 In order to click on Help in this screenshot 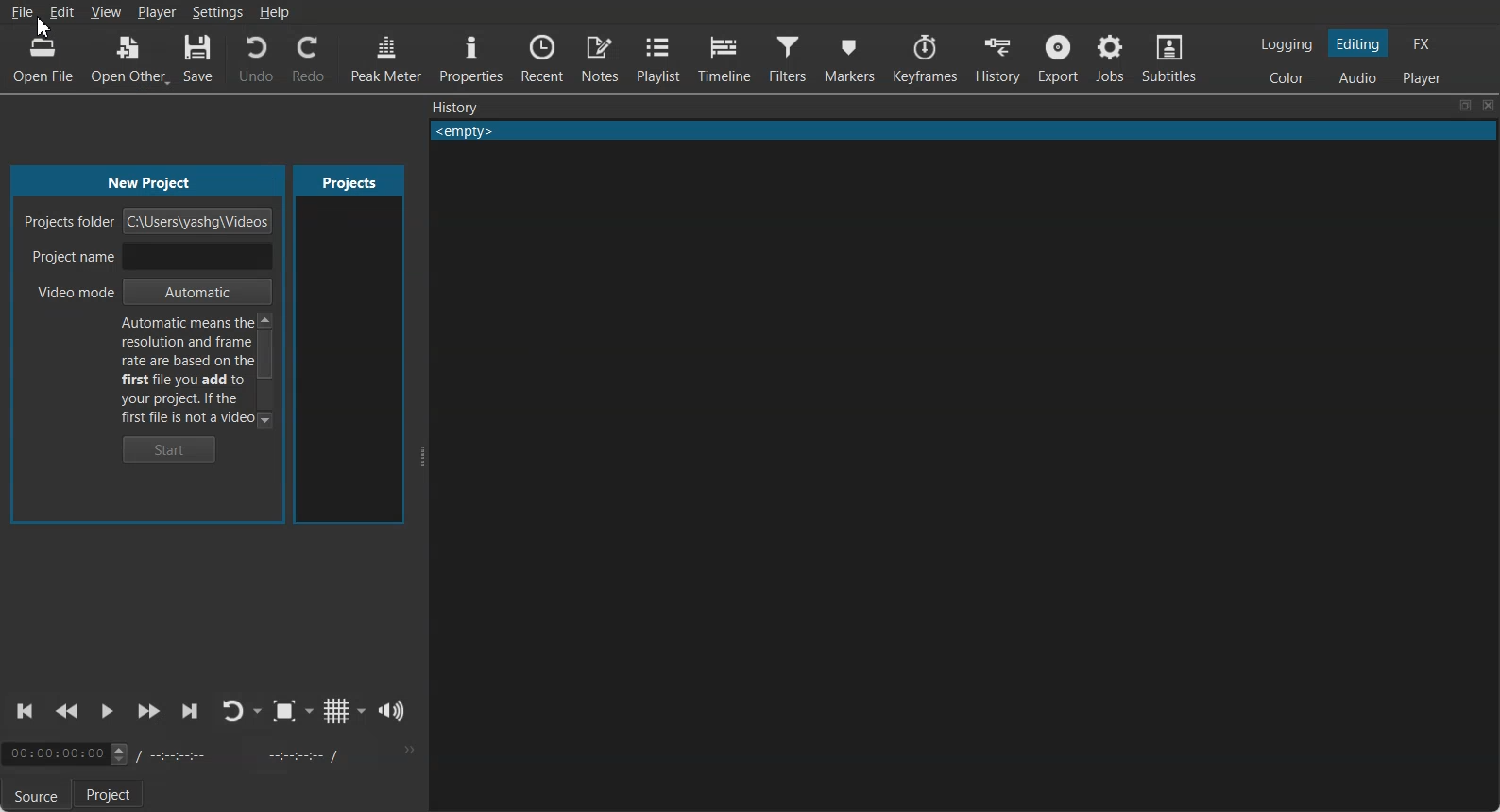, I will do `click(274, 11)`.